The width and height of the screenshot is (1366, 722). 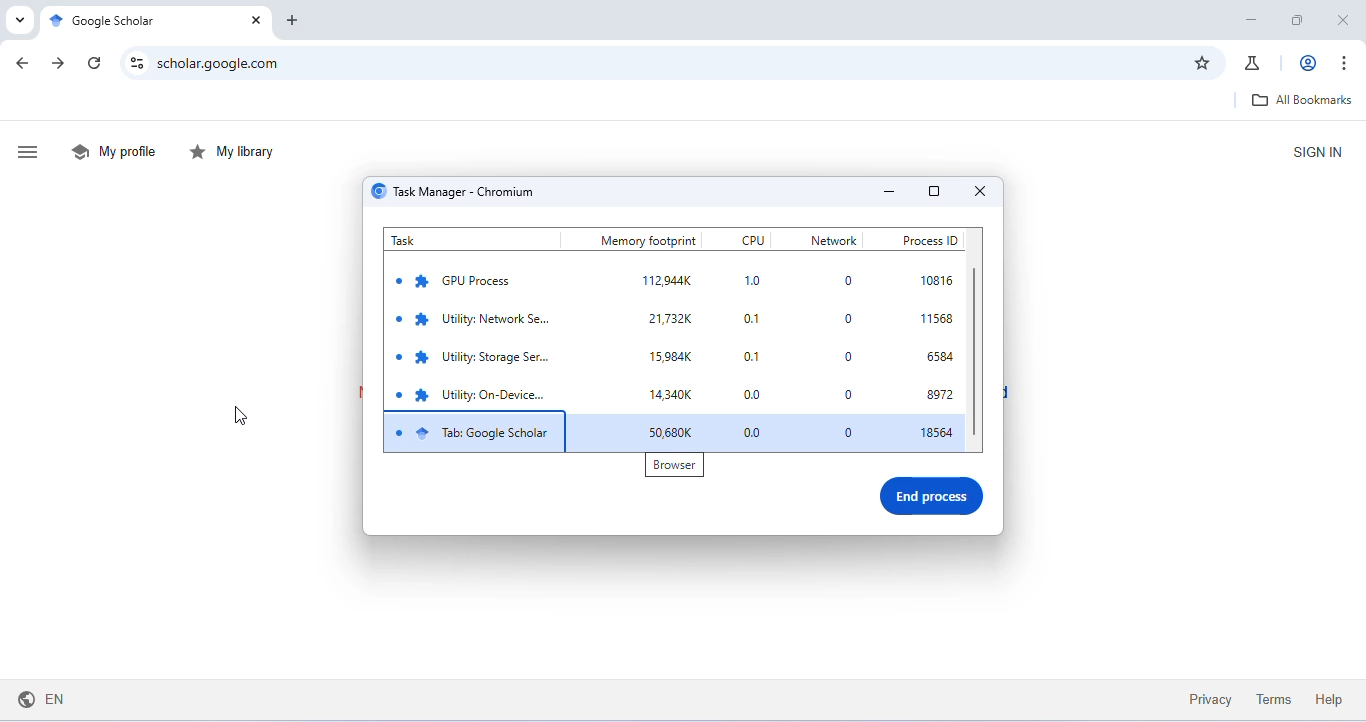 I want to click on browser, so click(x=673, y=467).